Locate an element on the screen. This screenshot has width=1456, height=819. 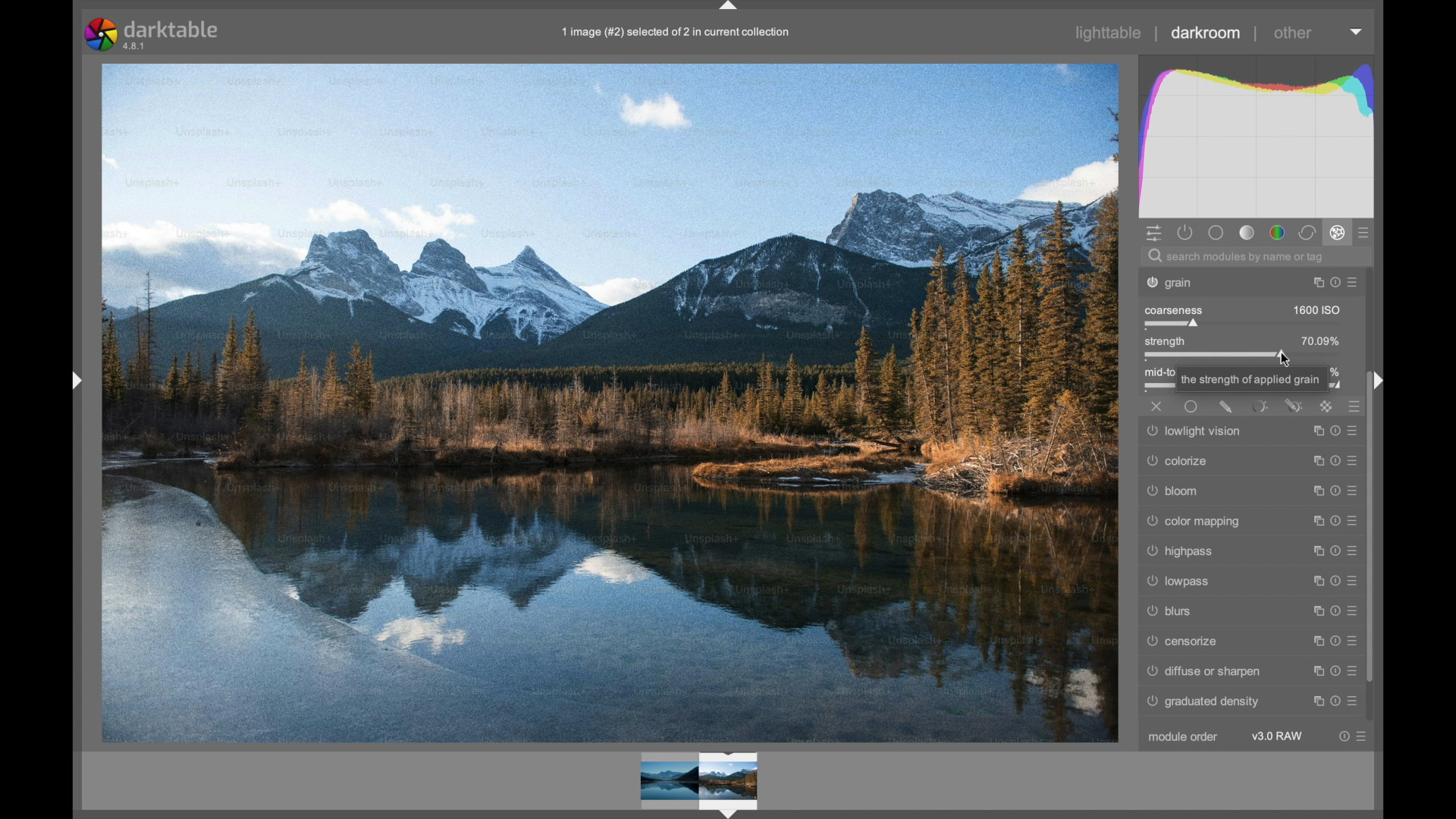
coarseness is located at coordinates (1172, 309).